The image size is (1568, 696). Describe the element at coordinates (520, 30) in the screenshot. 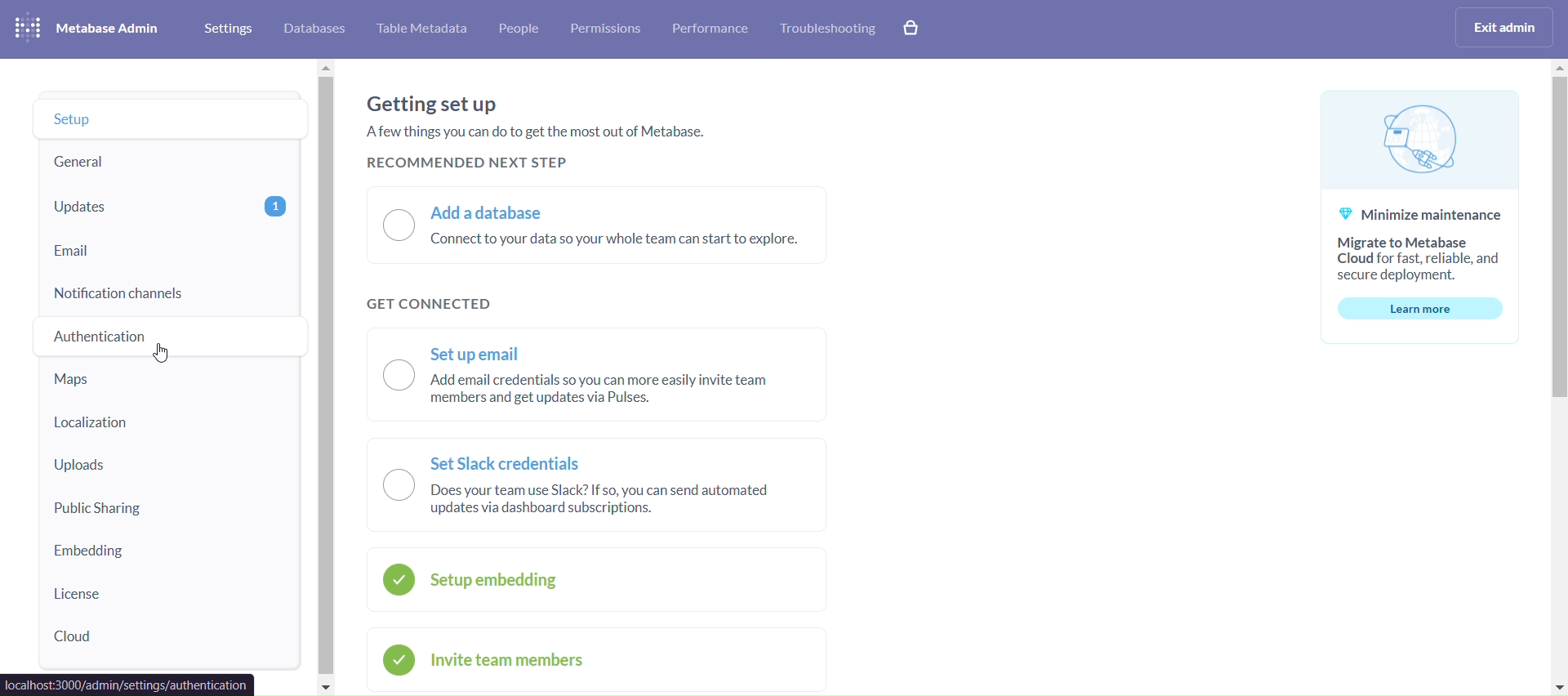

I see `people` at that location.